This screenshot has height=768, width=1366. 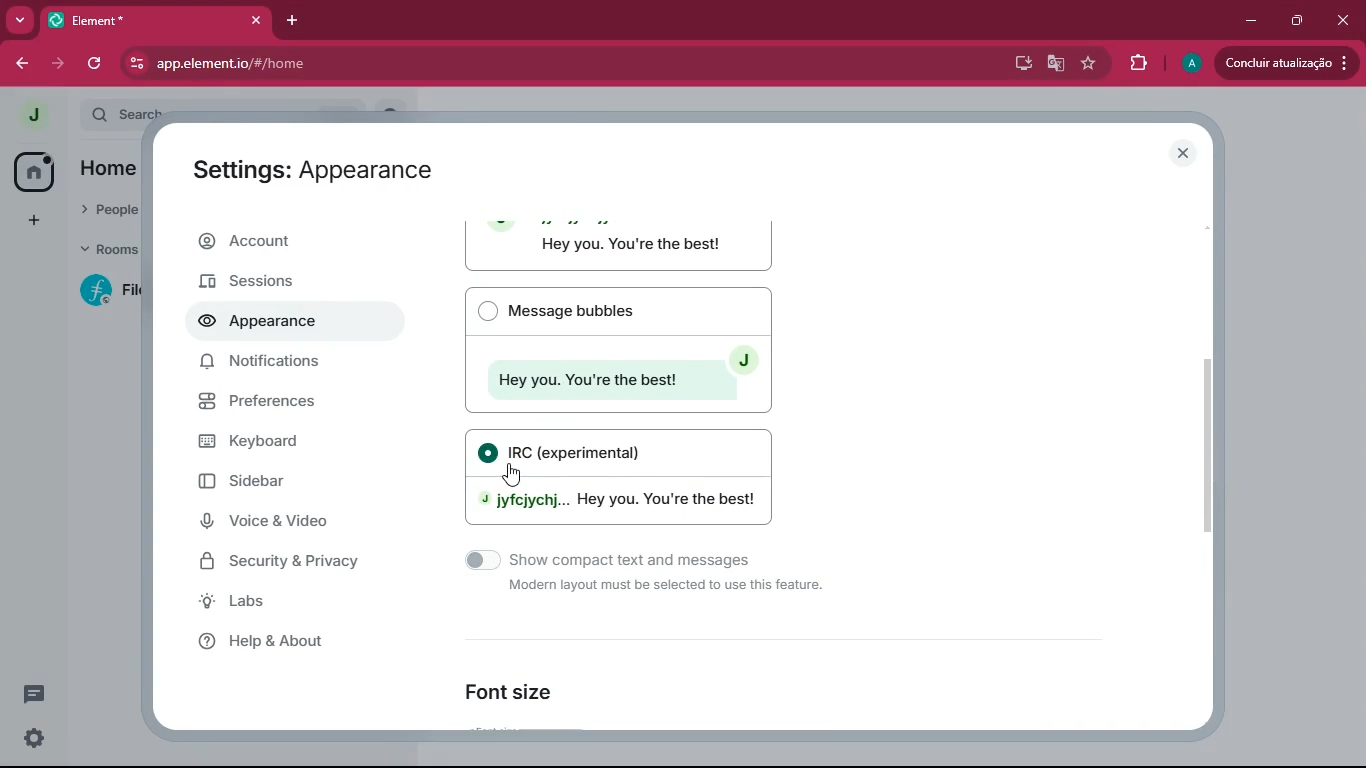 I want to click on profile picture, so click(x=31, y=114).